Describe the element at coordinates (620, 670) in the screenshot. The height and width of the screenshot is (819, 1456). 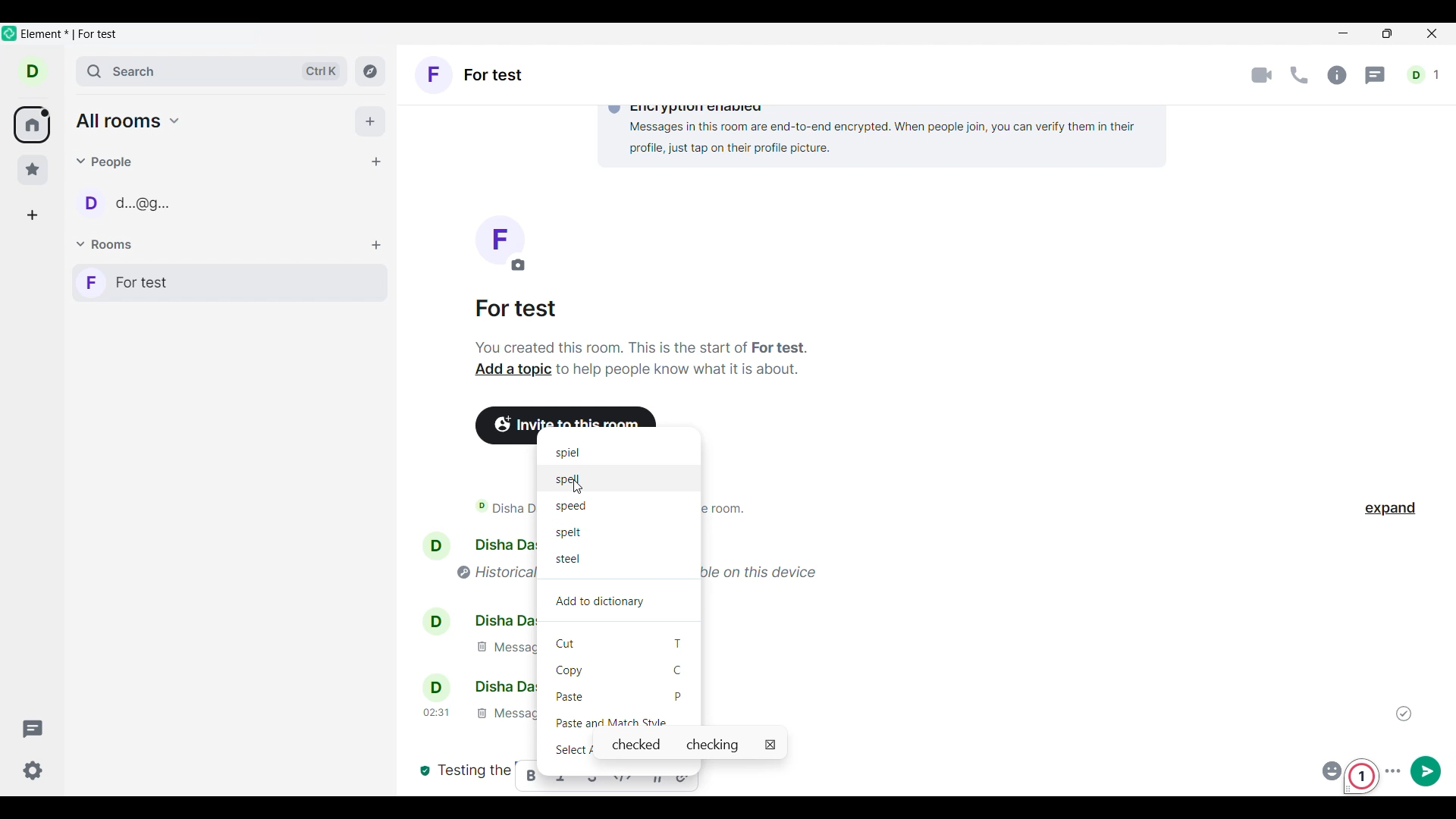
I see `Copy` at that location.